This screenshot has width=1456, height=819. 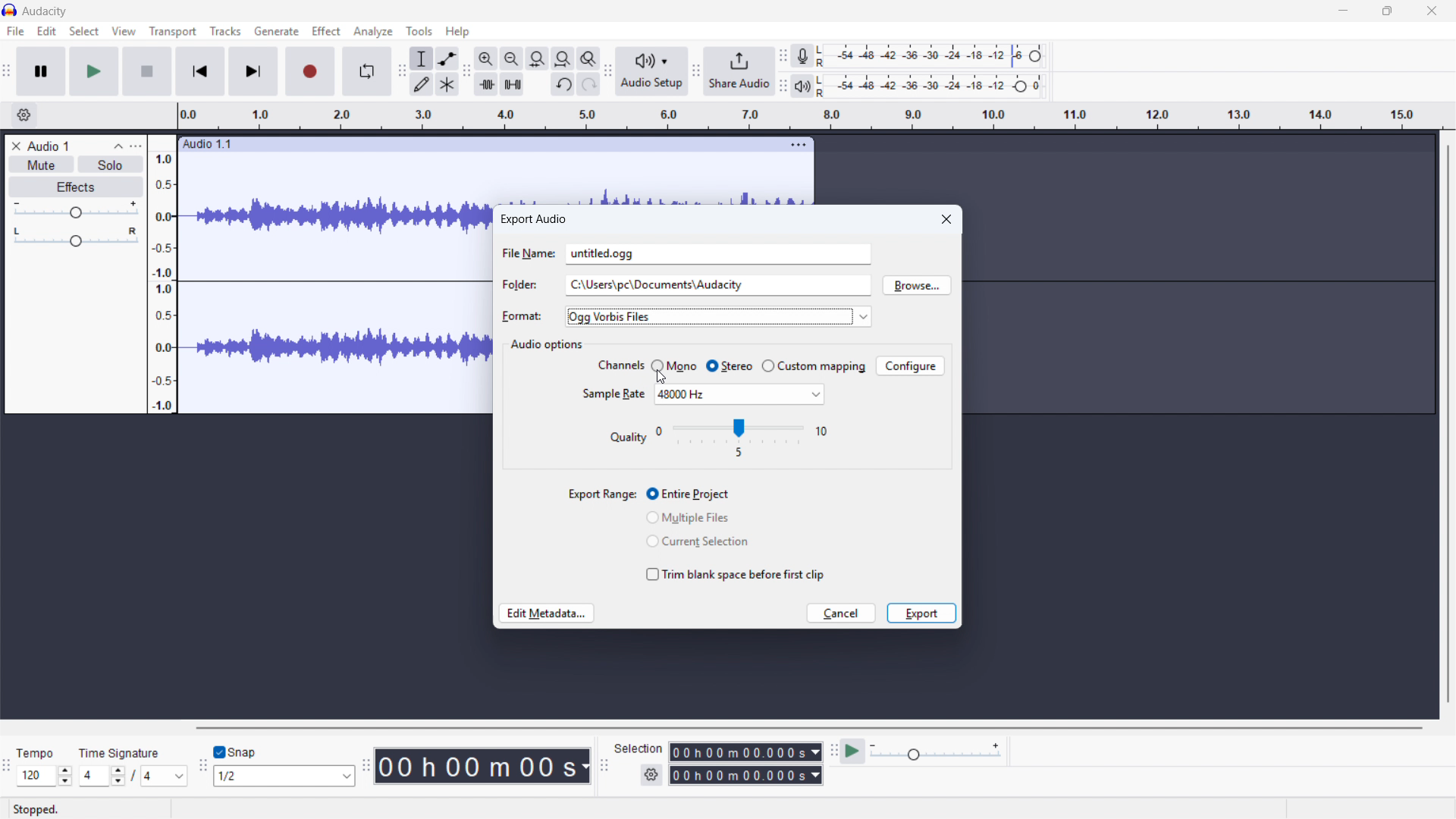 I want to click on Zoom in , so click(x=486, y=58).